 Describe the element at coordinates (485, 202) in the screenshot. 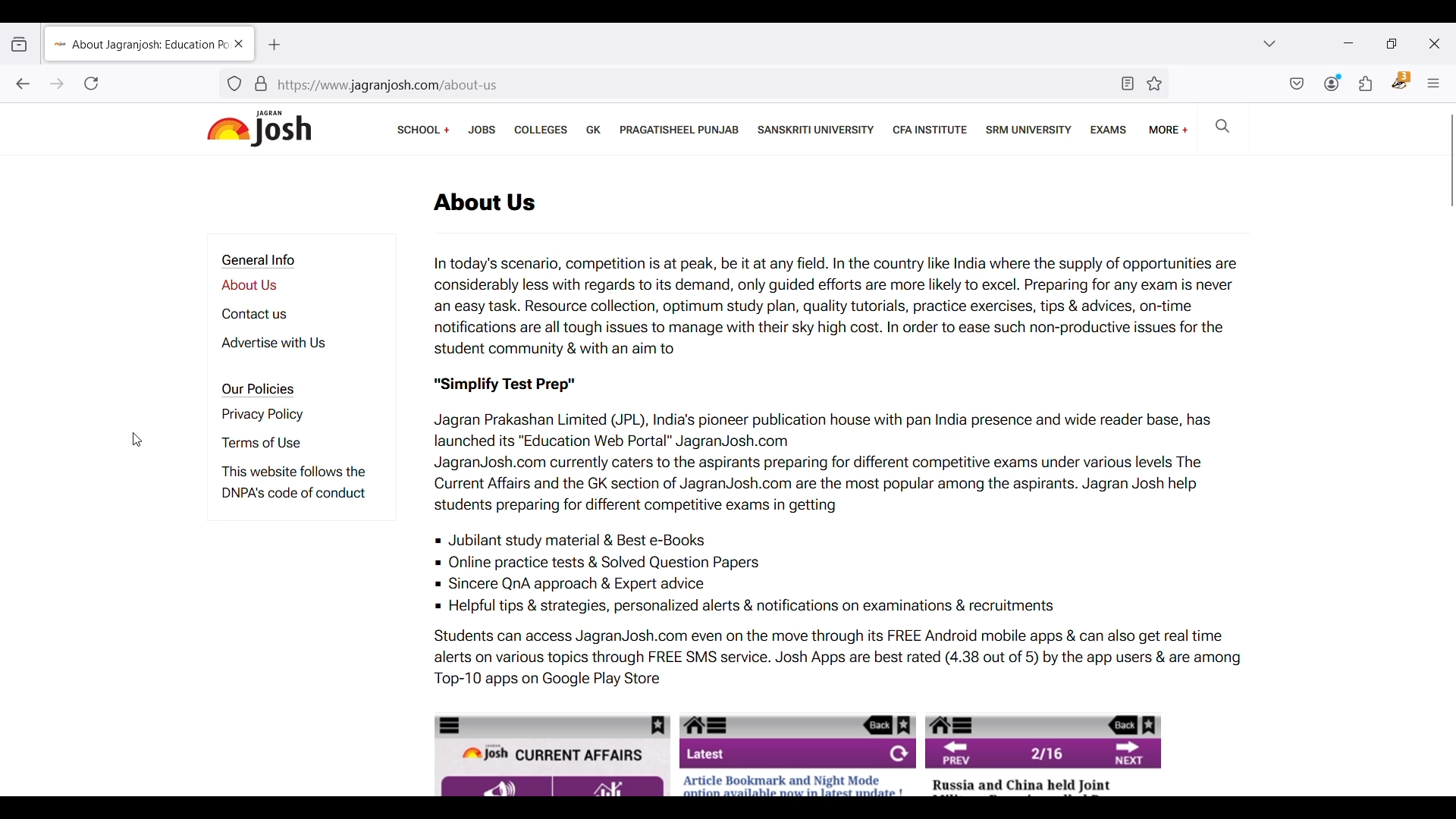

I see `about us` at that location.